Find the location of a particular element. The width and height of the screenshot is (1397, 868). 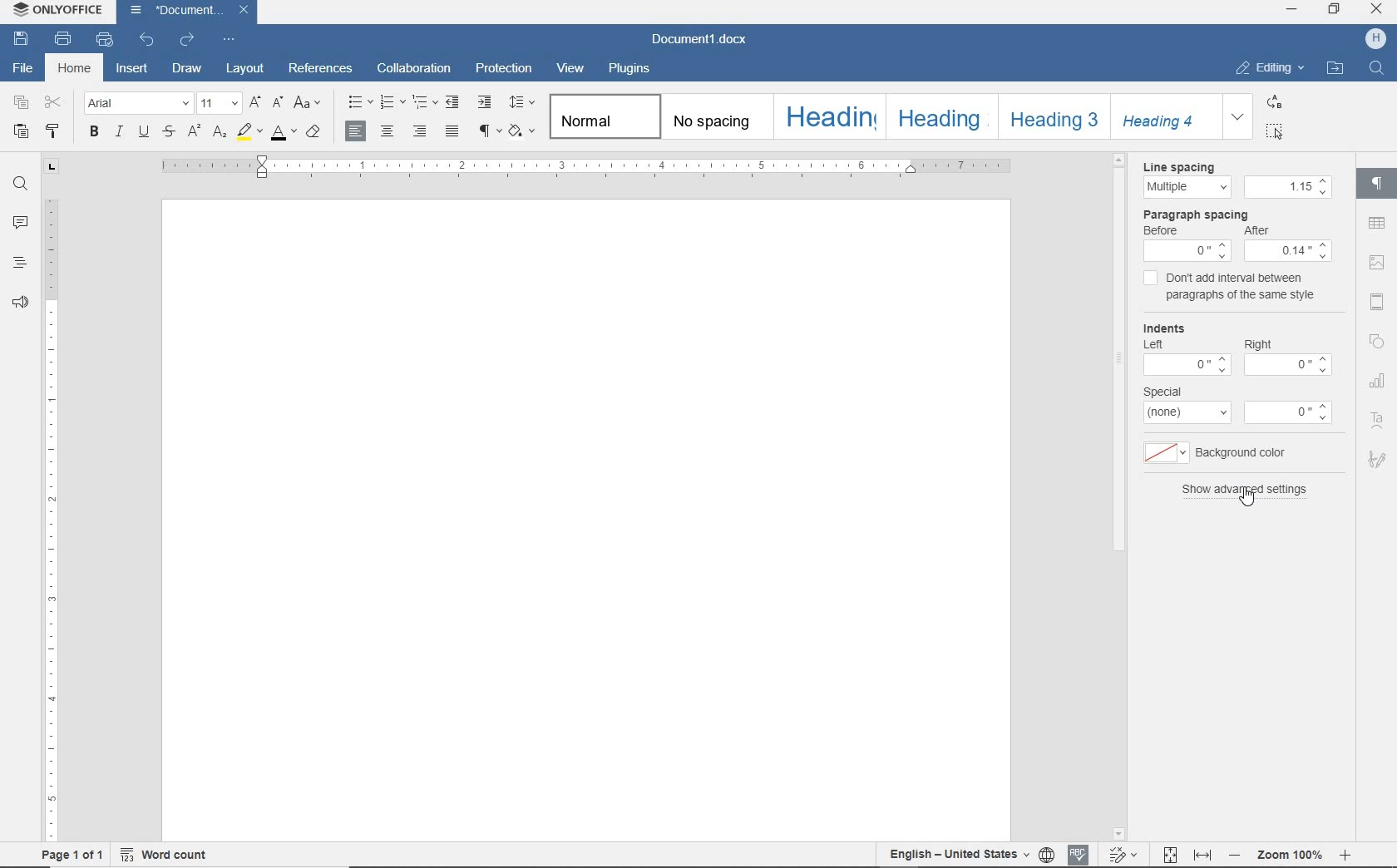

superscript is located at coordinates (193, 133).